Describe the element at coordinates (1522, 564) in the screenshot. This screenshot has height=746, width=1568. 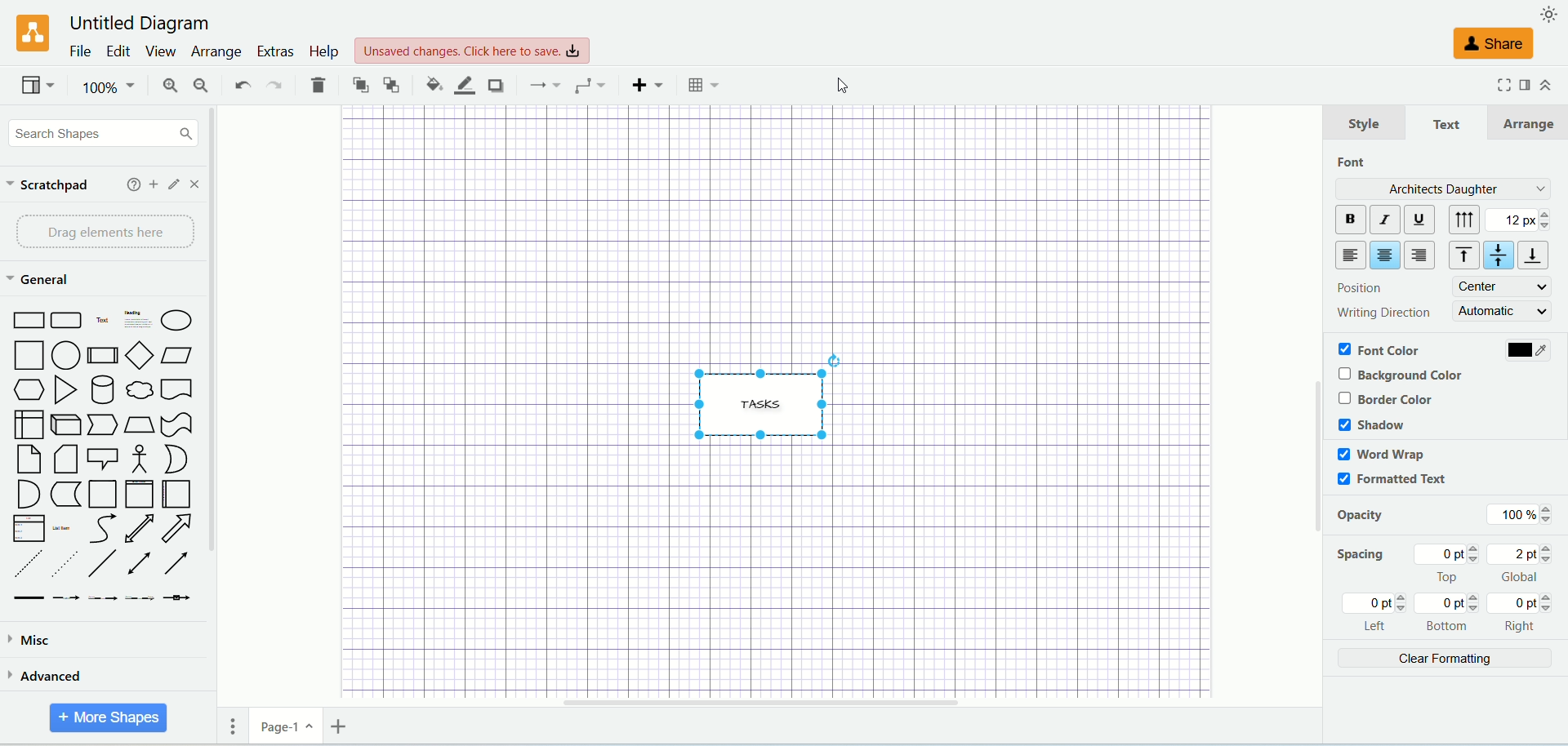
I see `global` at that location.